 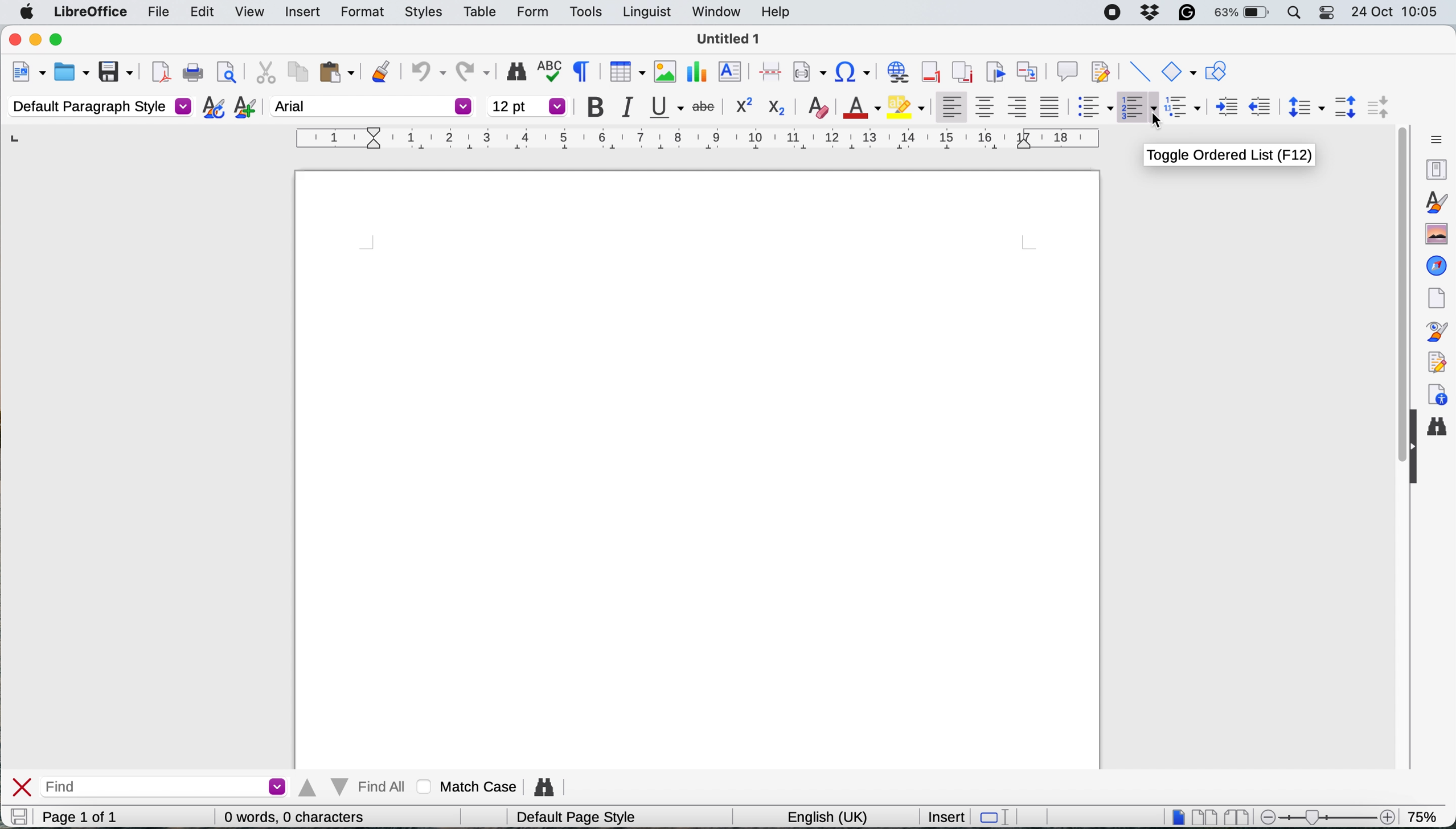 I want to click on clone formatting, so click(x=381, y=70).